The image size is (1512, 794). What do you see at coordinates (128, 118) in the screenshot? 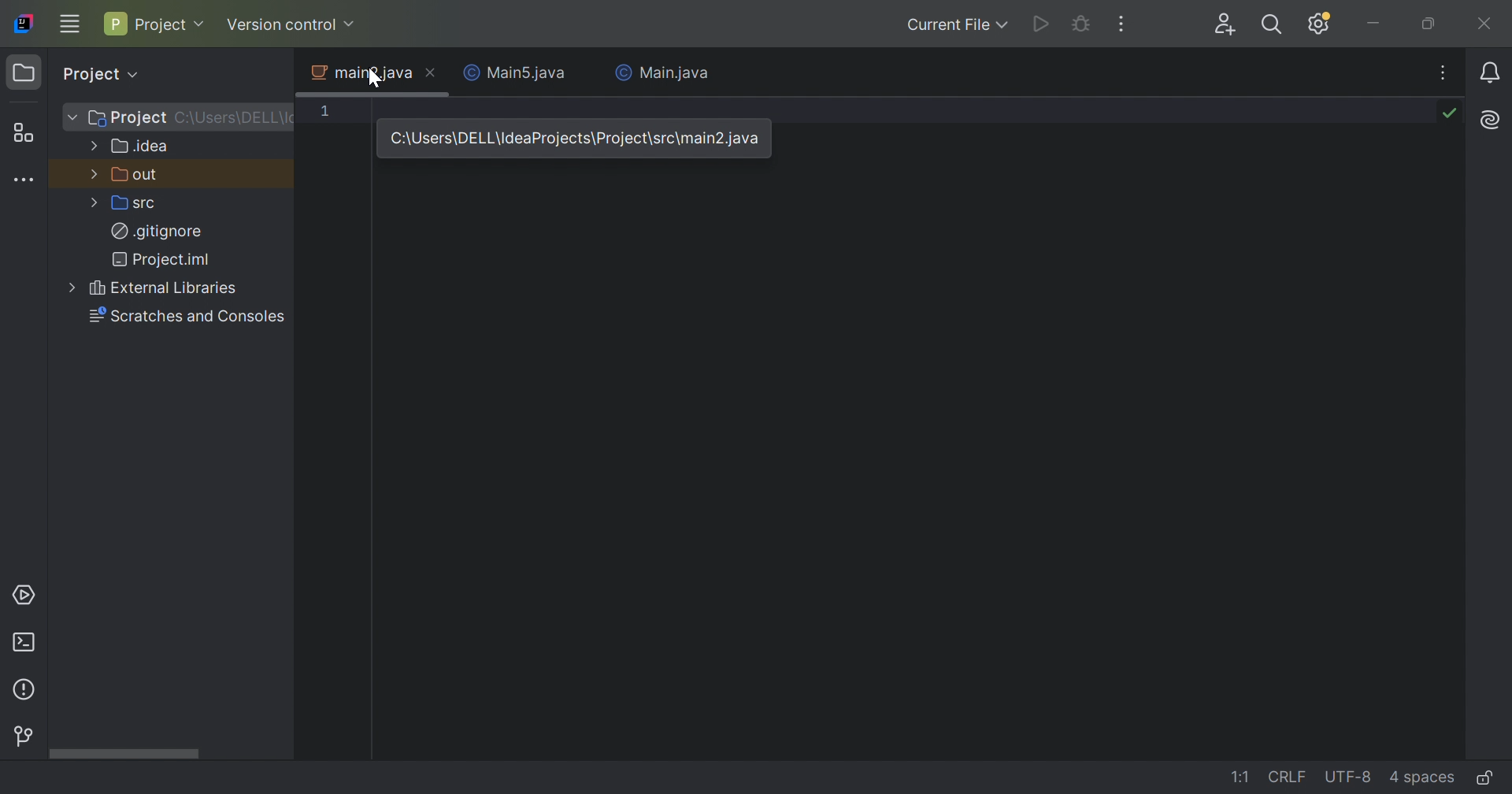
I see `Project` at bounding box center [128, 118].